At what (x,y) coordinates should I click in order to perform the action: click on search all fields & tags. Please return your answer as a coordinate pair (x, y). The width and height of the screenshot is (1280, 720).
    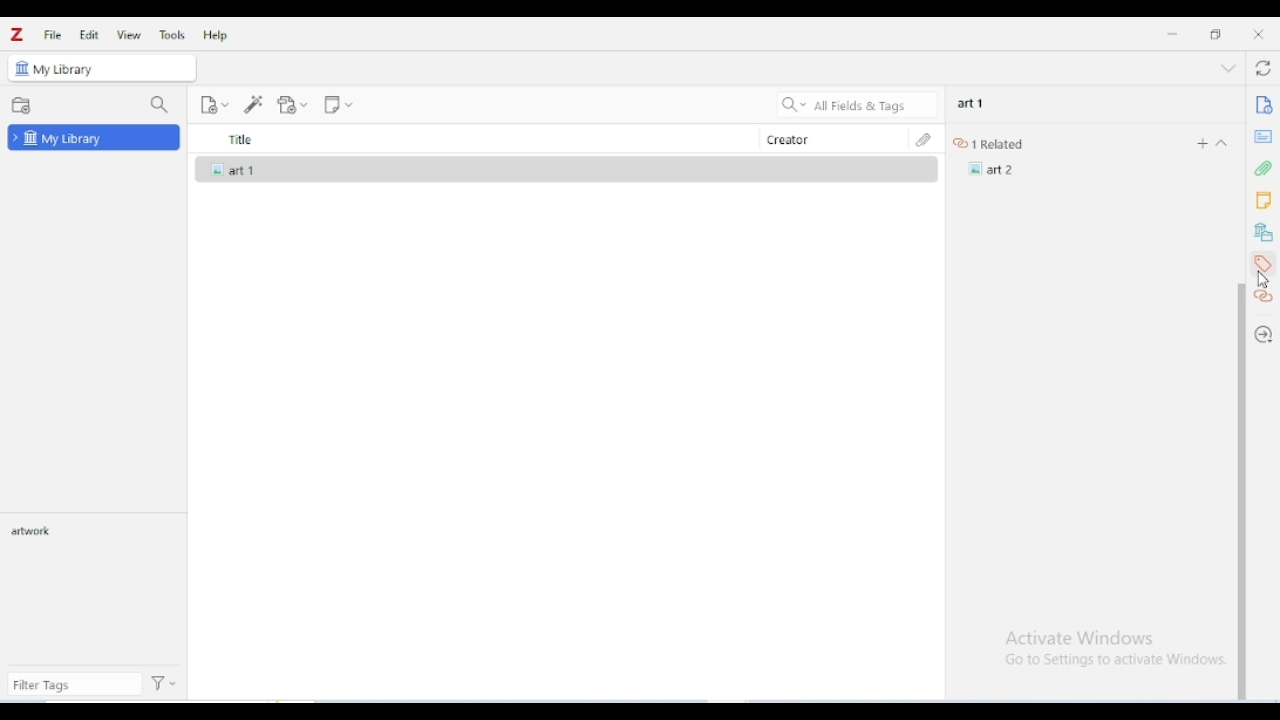
    Looking at the image, I should click on (854, 105).